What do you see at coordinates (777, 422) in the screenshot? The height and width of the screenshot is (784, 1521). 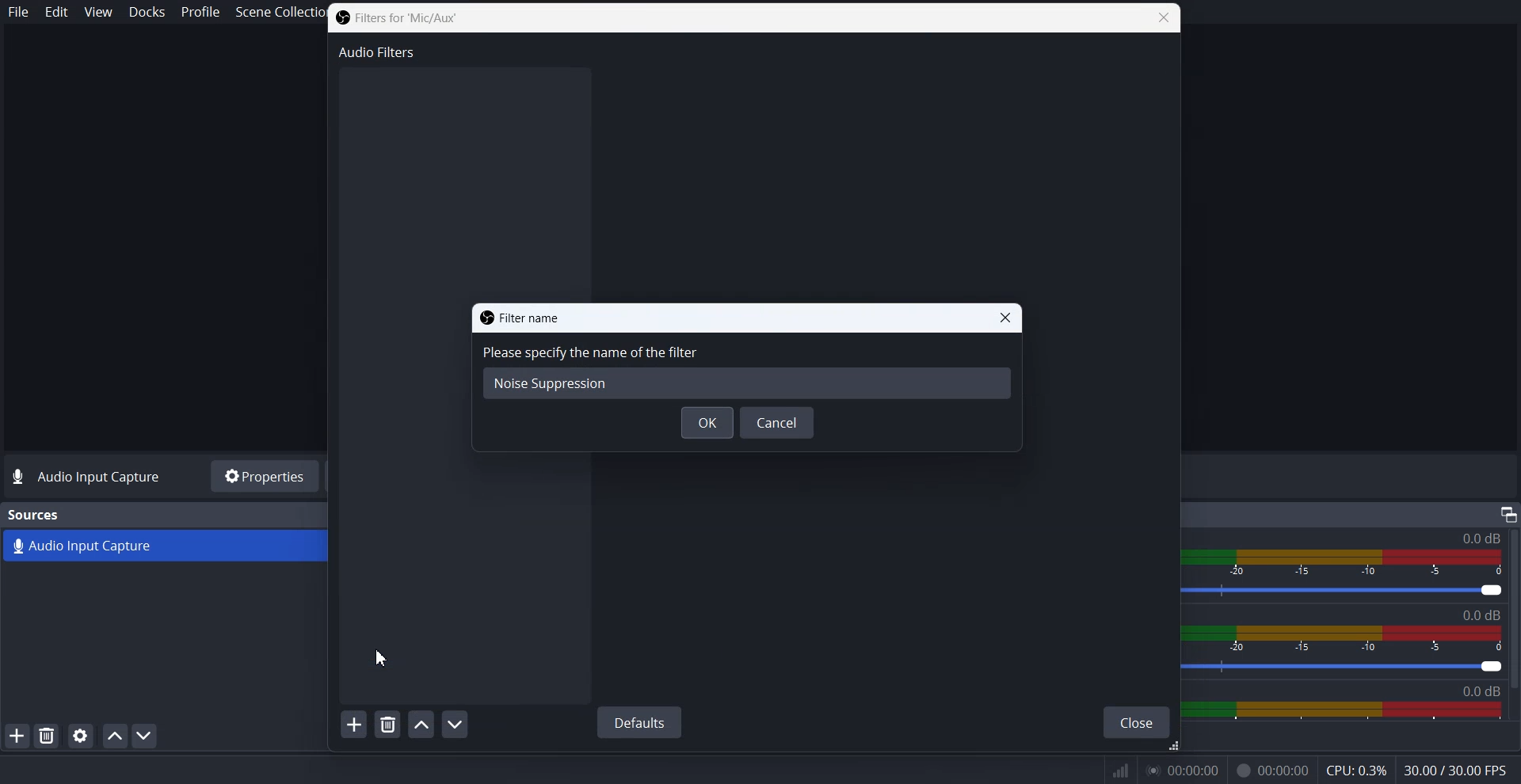 I see `Cancel` at bounding box center [777, 422].